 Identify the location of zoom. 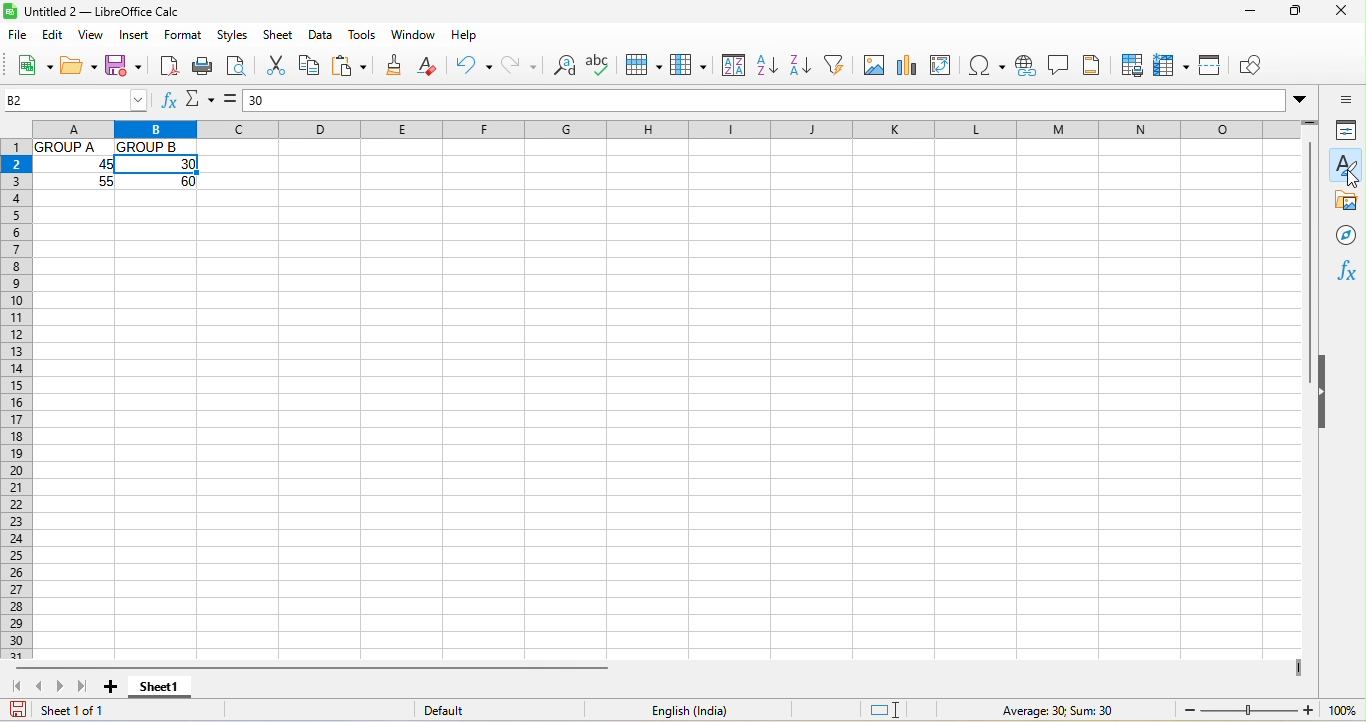
(1245, 709).